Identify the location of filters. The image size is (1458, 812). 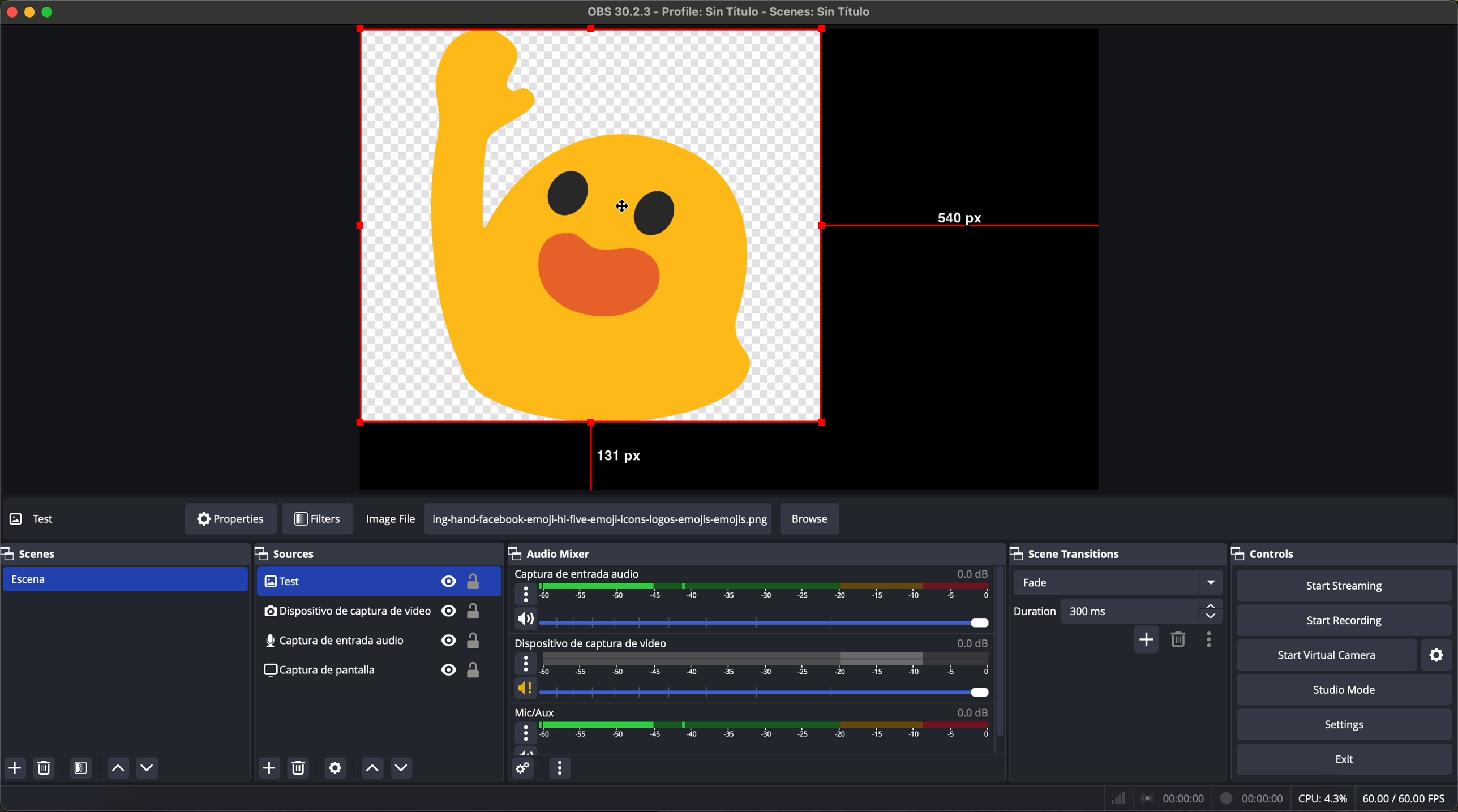
(317, 519).